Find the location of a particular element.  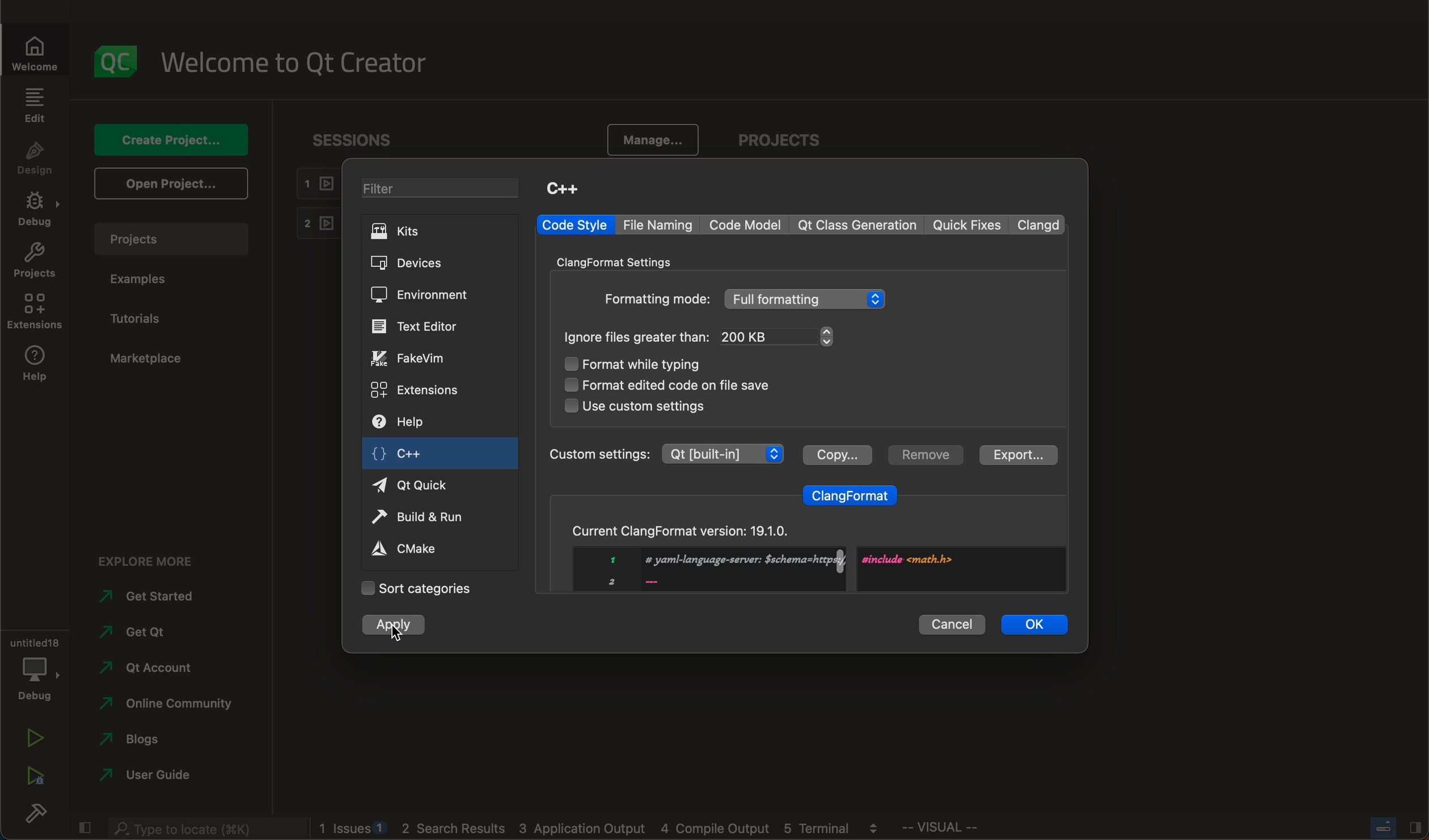

tutorials is located at coordinates (141, 319).